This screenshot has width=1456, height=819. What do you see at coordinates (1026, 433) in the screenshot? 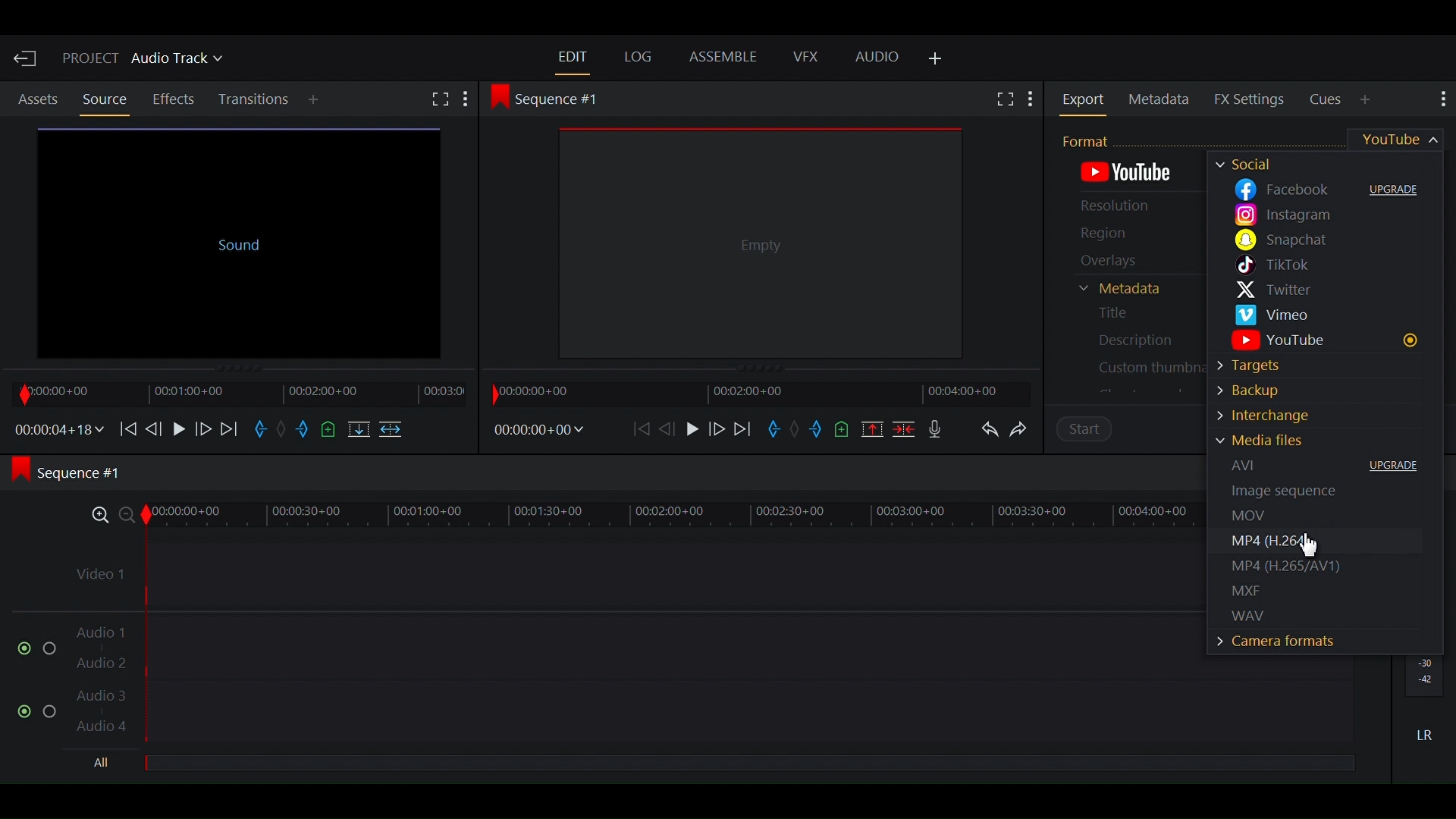
I see `Redo` at bounding box center [1026, 433].